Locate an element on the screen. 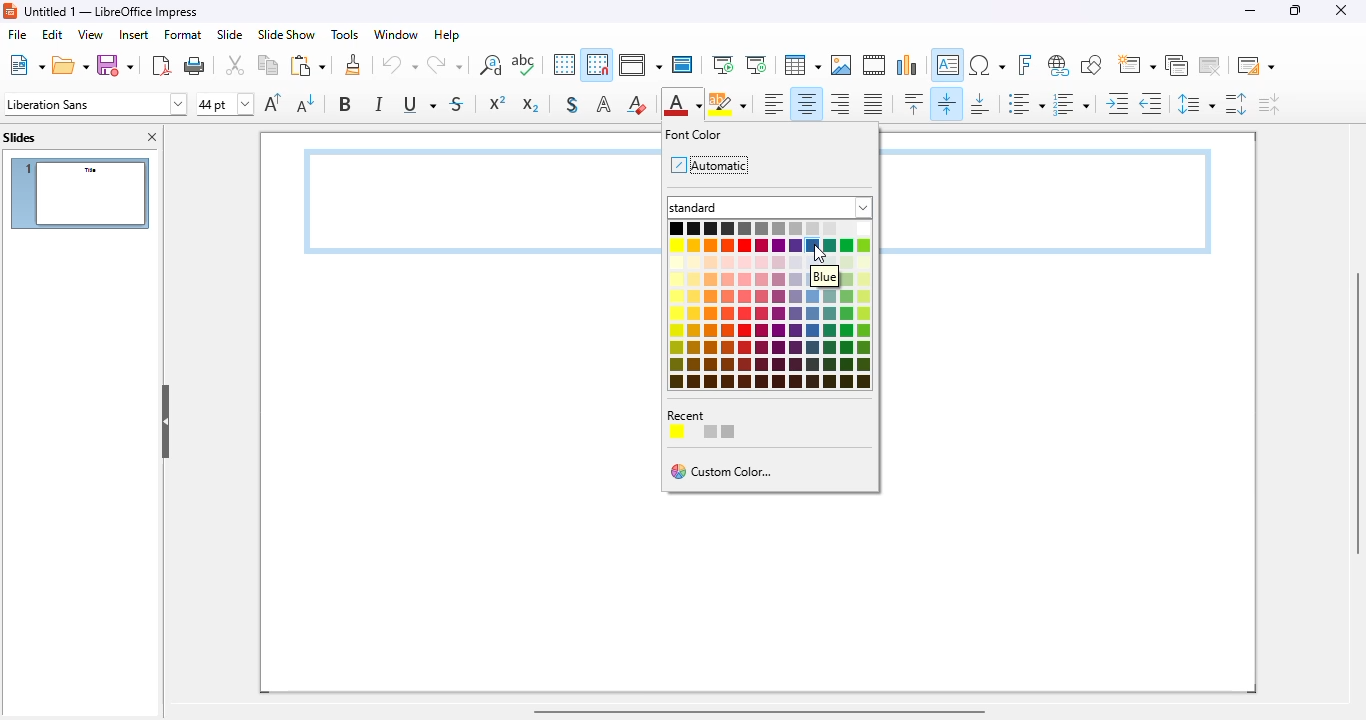 Image resolution: width=1366 pixels, height=720 pixels. display grid is located at coordinates (564, 64).